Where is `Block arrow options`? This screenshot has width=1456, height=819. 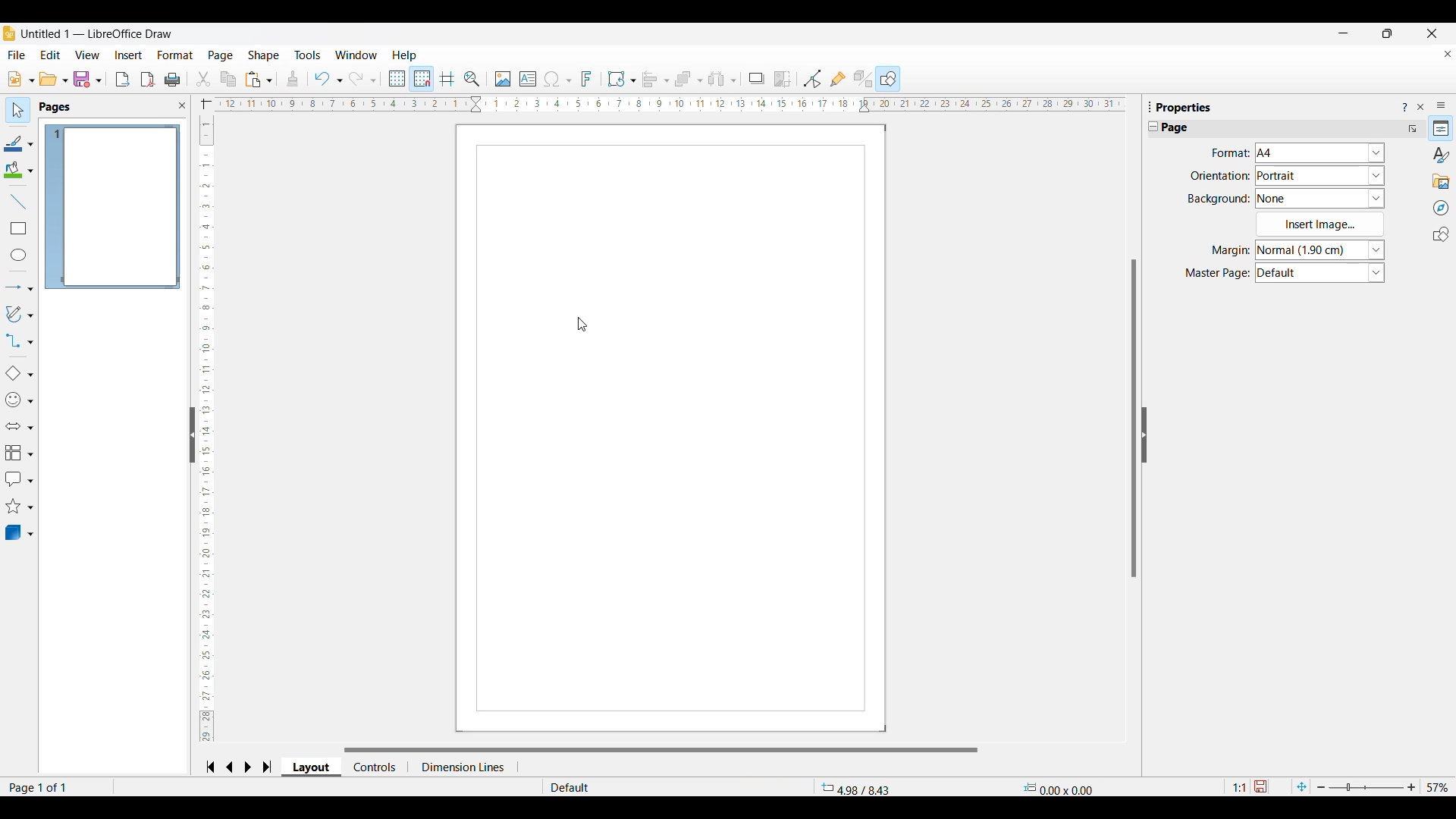
Block arrow options is located at coordinates (19, 426).